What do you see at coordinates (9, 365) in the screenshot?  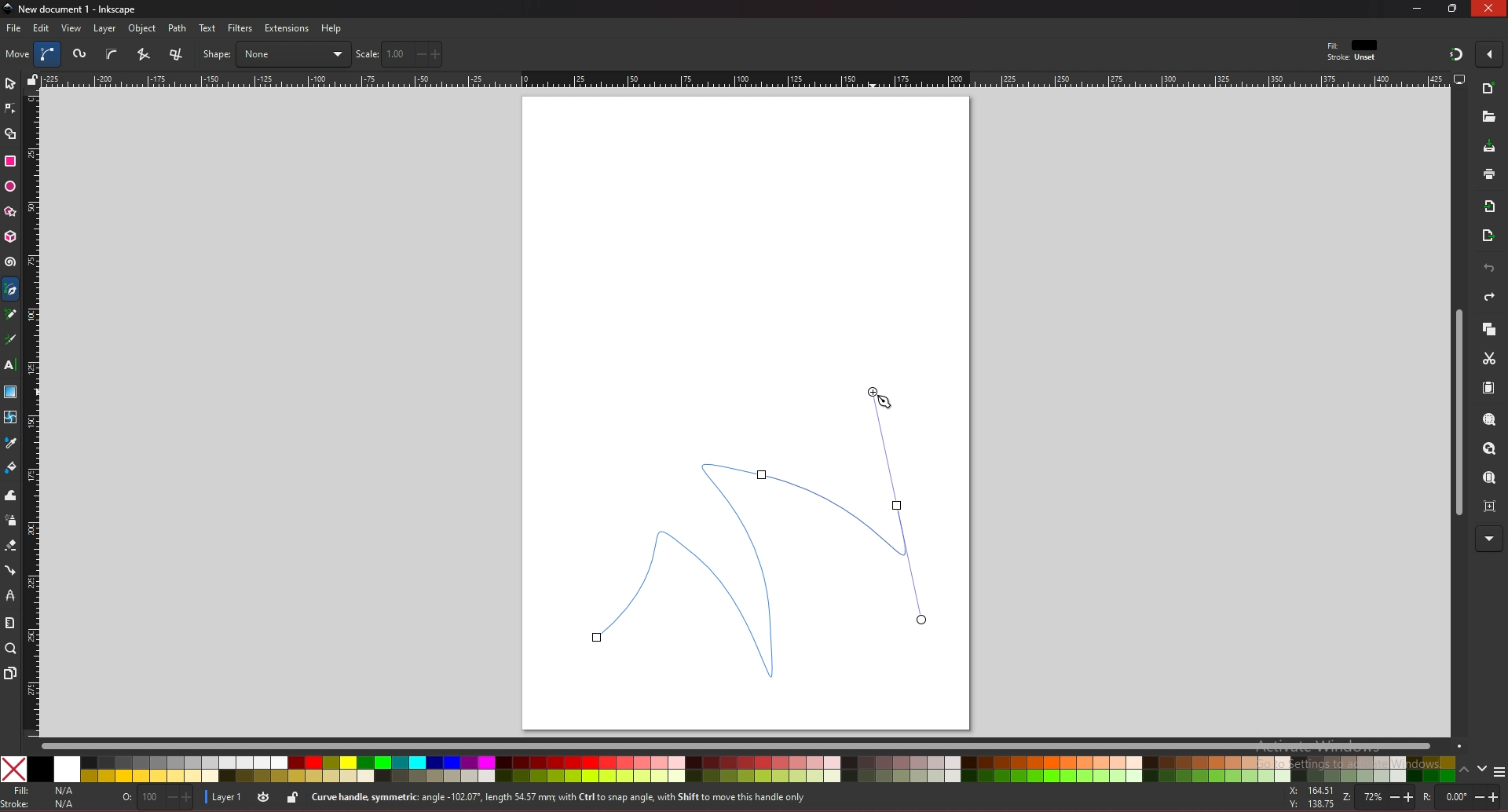 I see `text` at bounding box center [9, 365].